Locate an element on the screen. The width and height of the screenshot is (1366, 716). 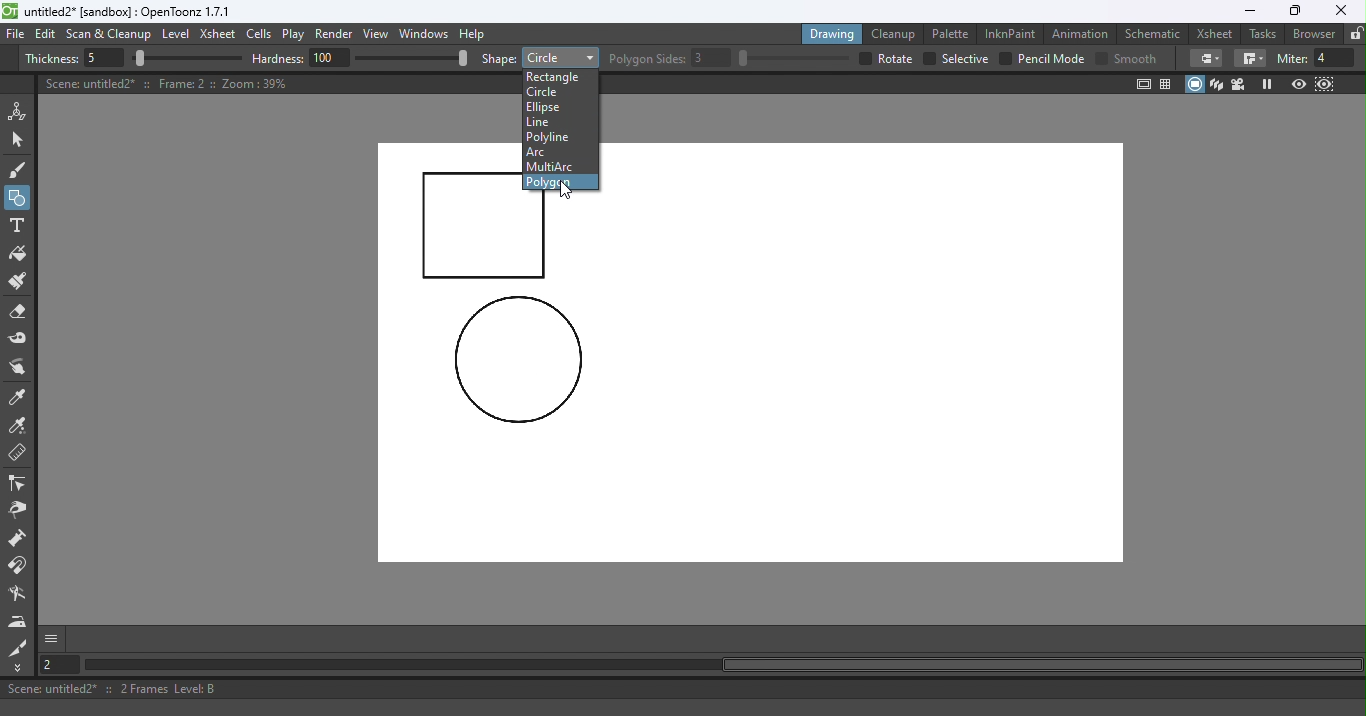
Lock rooms tab is located at coordinates (1356, 35).